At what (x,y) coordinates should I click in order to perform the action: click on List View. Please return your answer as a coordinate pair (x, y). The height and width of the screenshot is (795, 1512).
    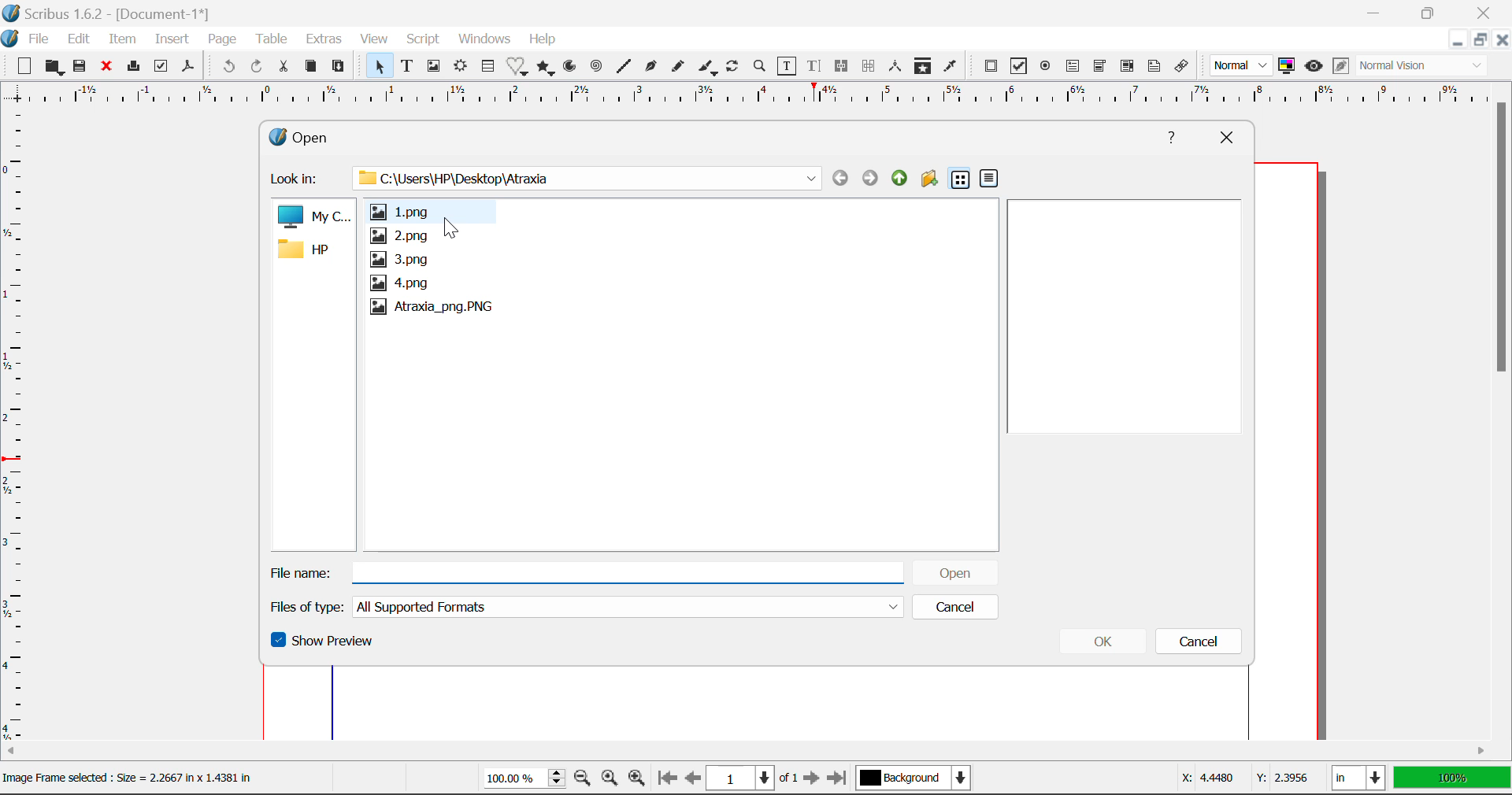
    Looking at the image, I should click on (960, 180).